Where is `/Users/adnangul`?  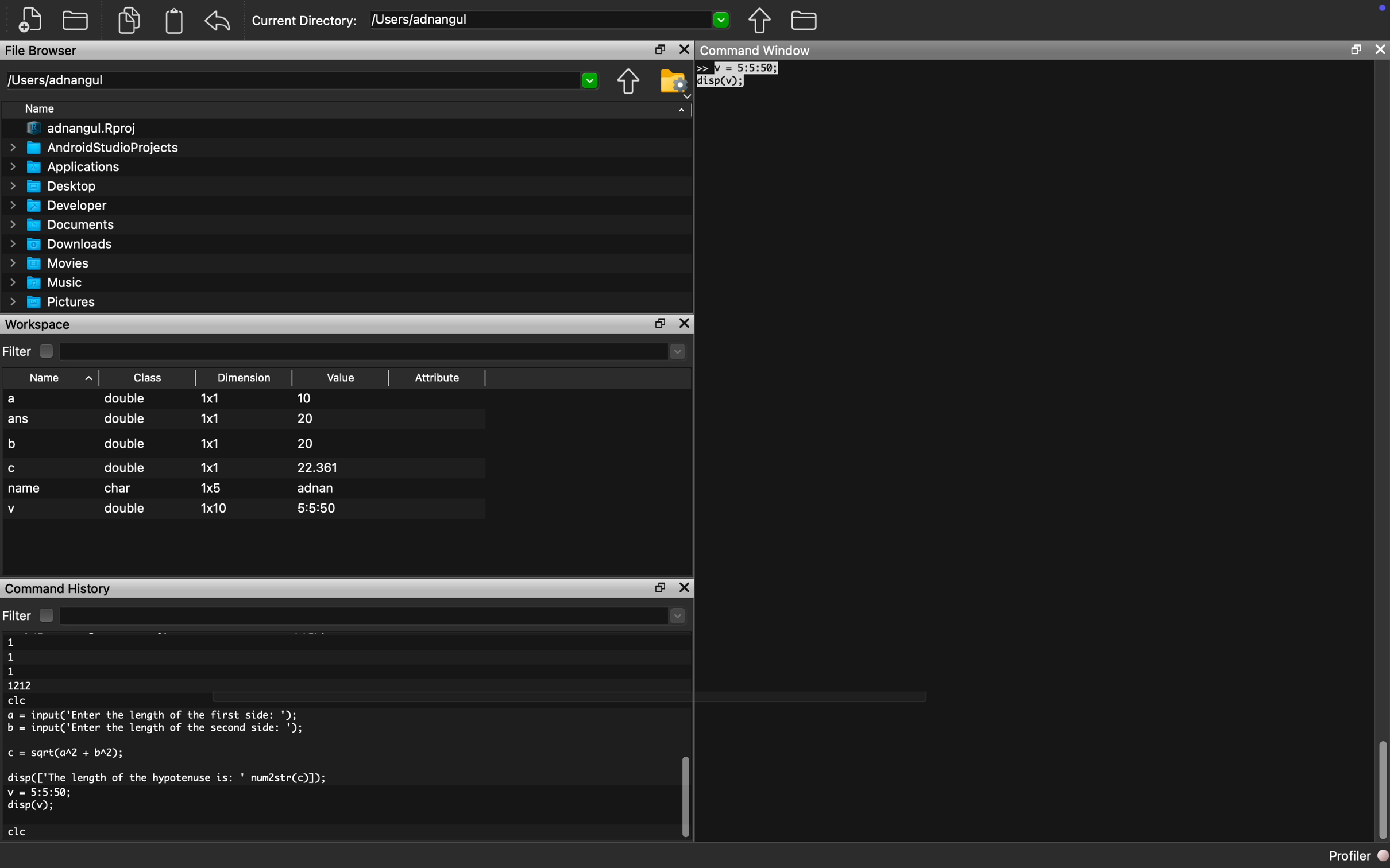 /Users/adnangul is located at coordinates (58, 80).